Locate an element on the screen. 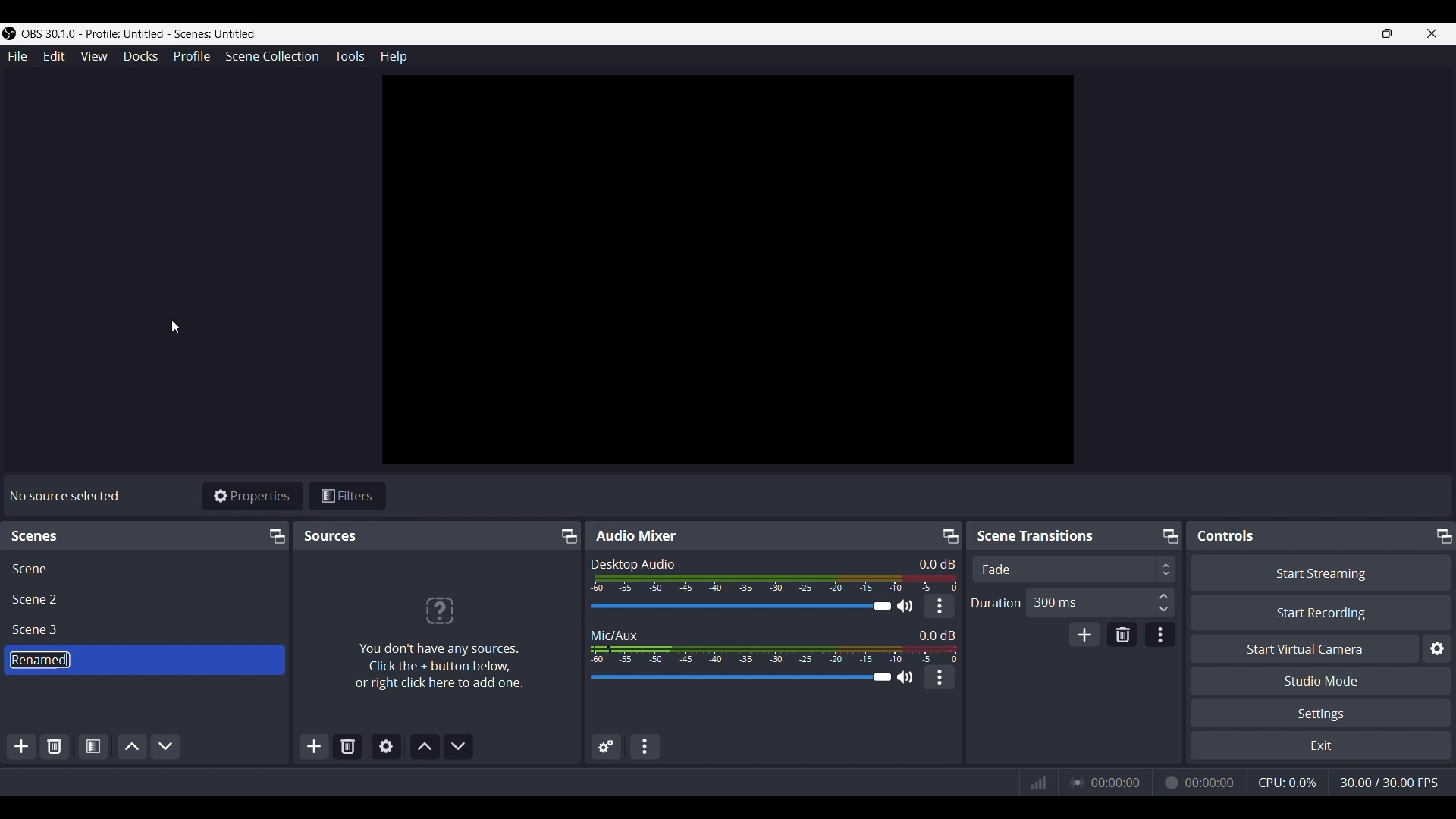 Image resolution: width=1456 pixels, height=819 pixels. Audio Mixer is located at coordinates (635, 535).